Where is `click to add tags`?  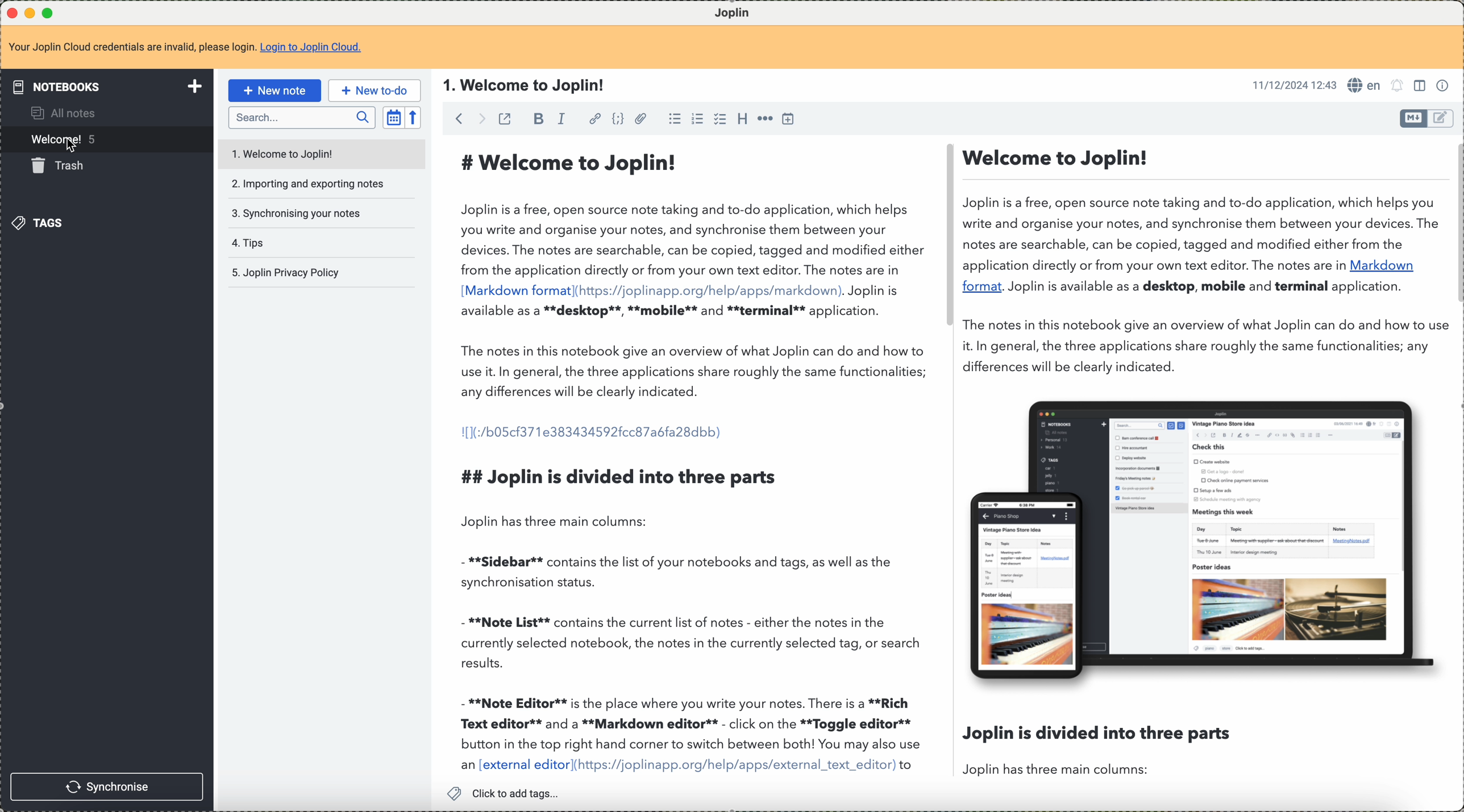 click to add tags is located at coordinates (509, 793).